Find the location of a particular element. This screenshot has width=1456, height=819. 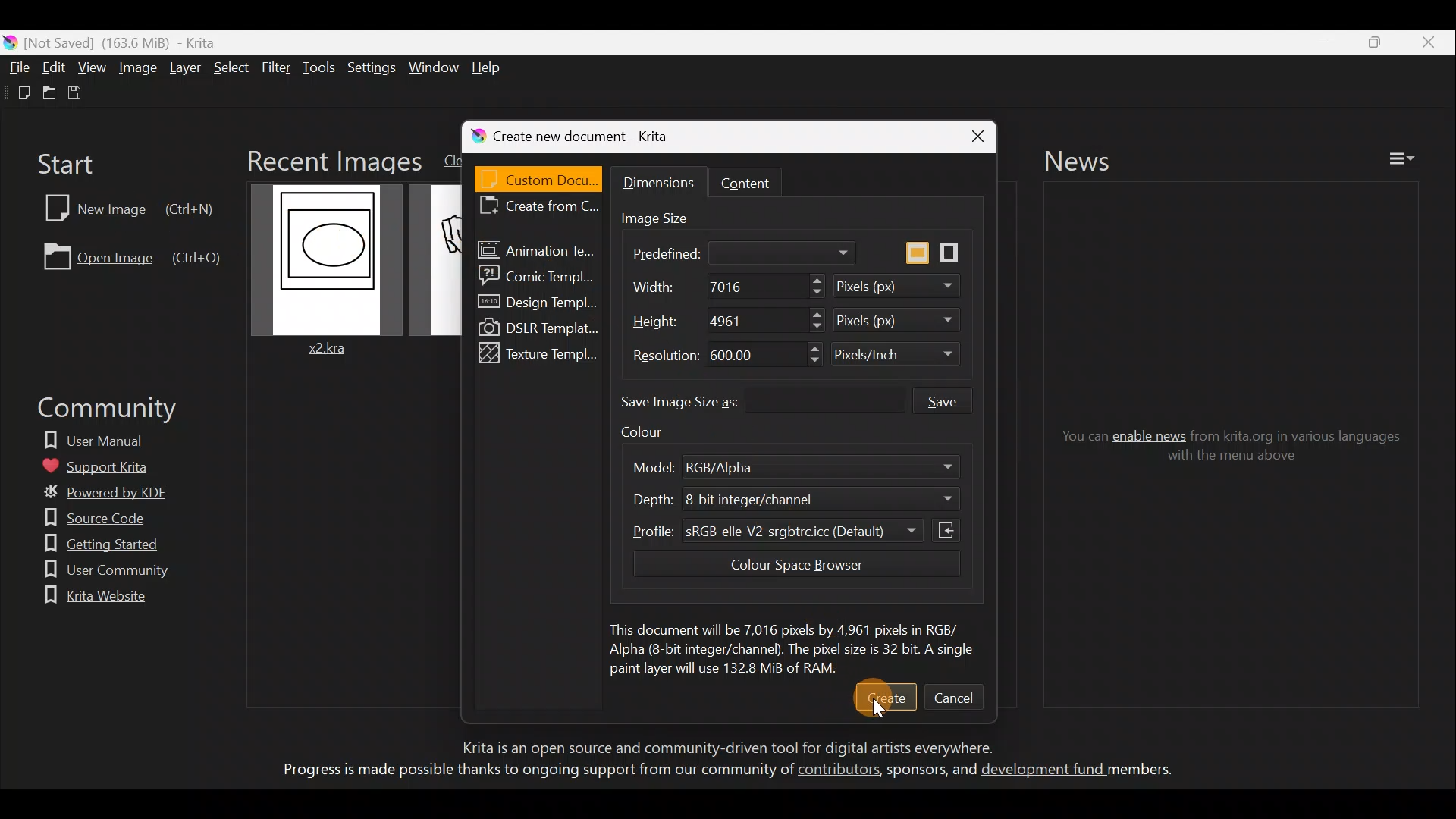

File is located at coordinates (15, 64).